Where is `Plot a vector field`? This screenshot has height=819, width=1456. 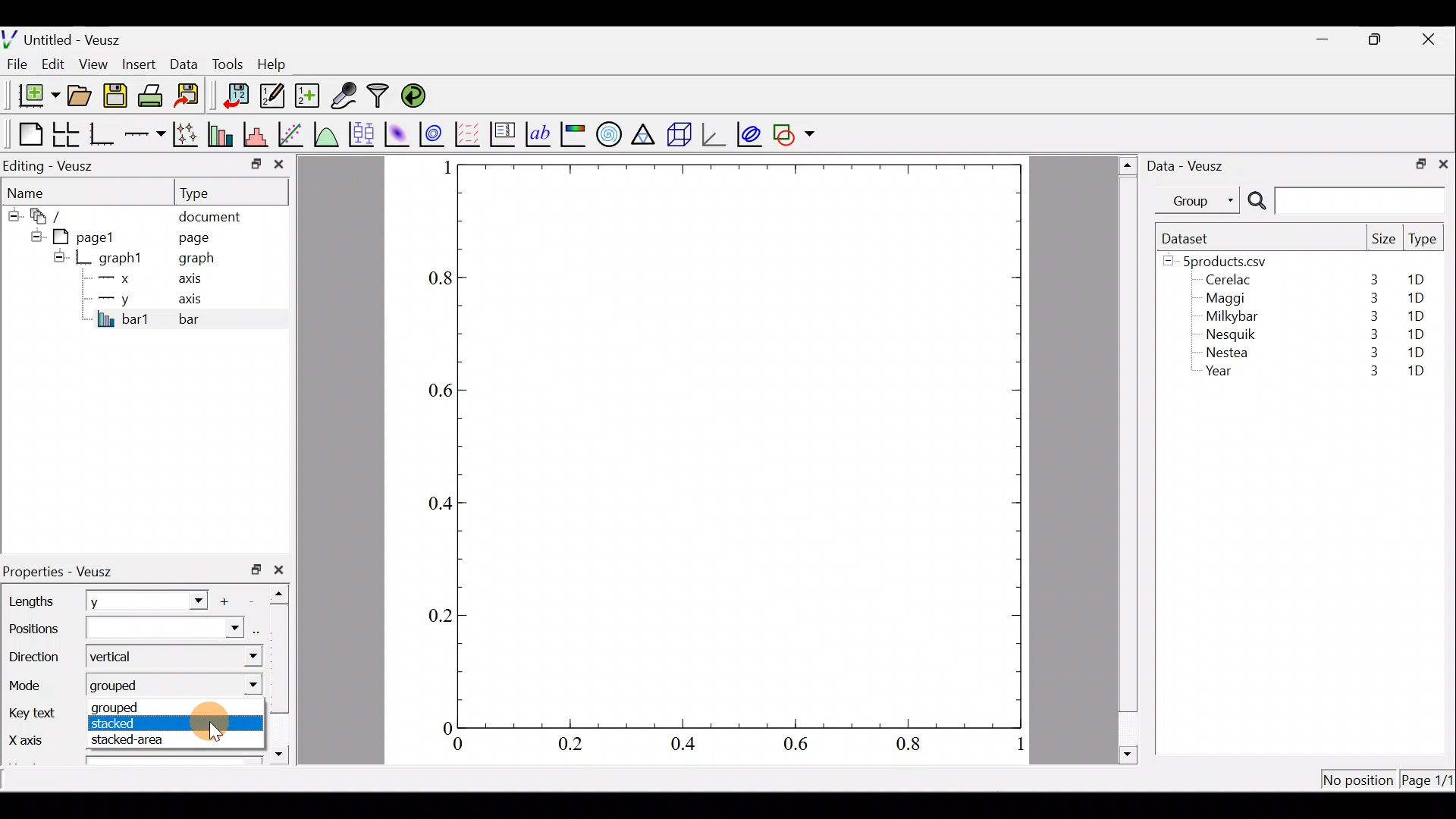 Plot a vector field is located at coordinates (470, 134).